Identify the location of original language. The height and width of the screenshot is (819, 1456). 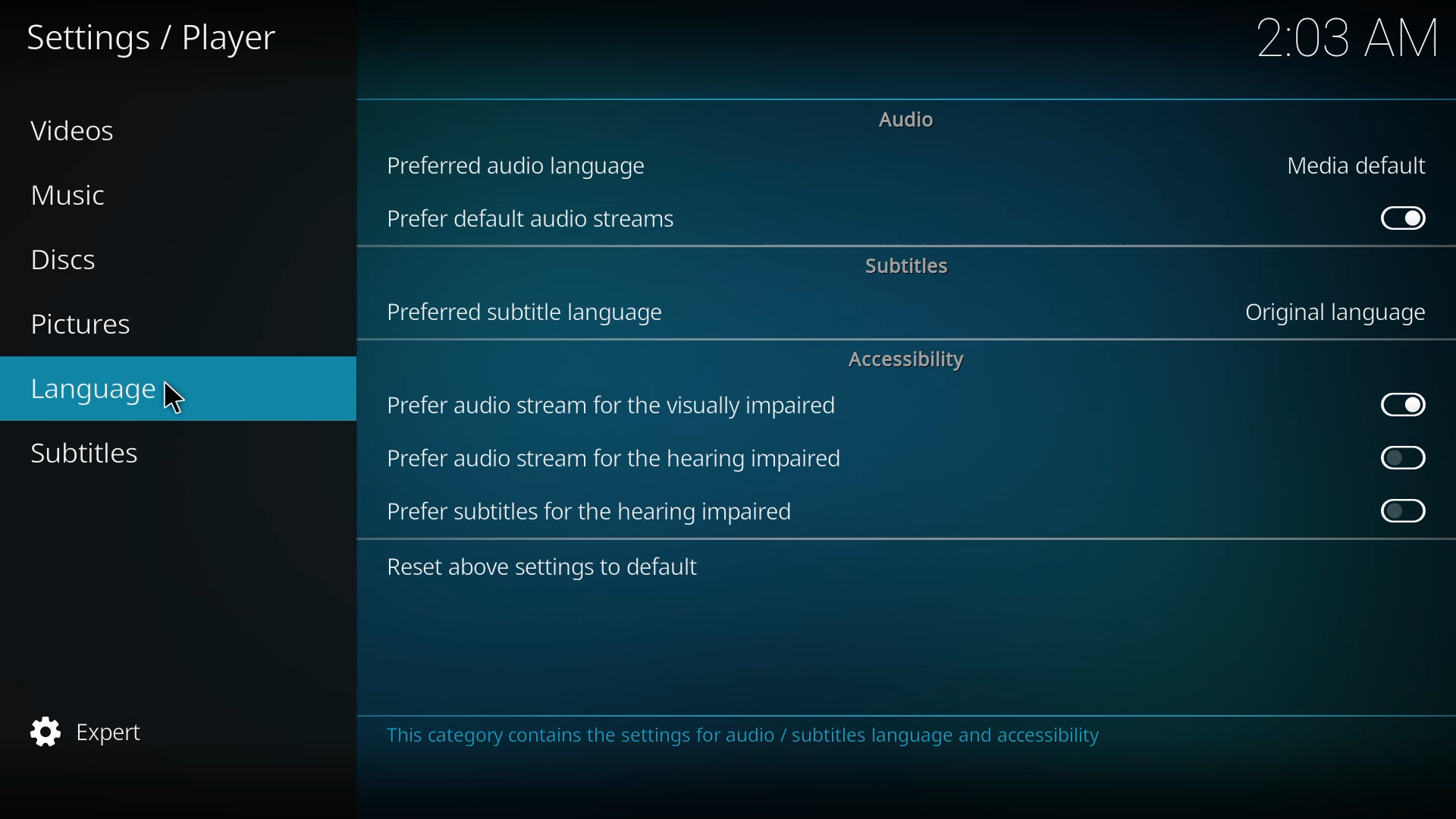
(1336, 312).